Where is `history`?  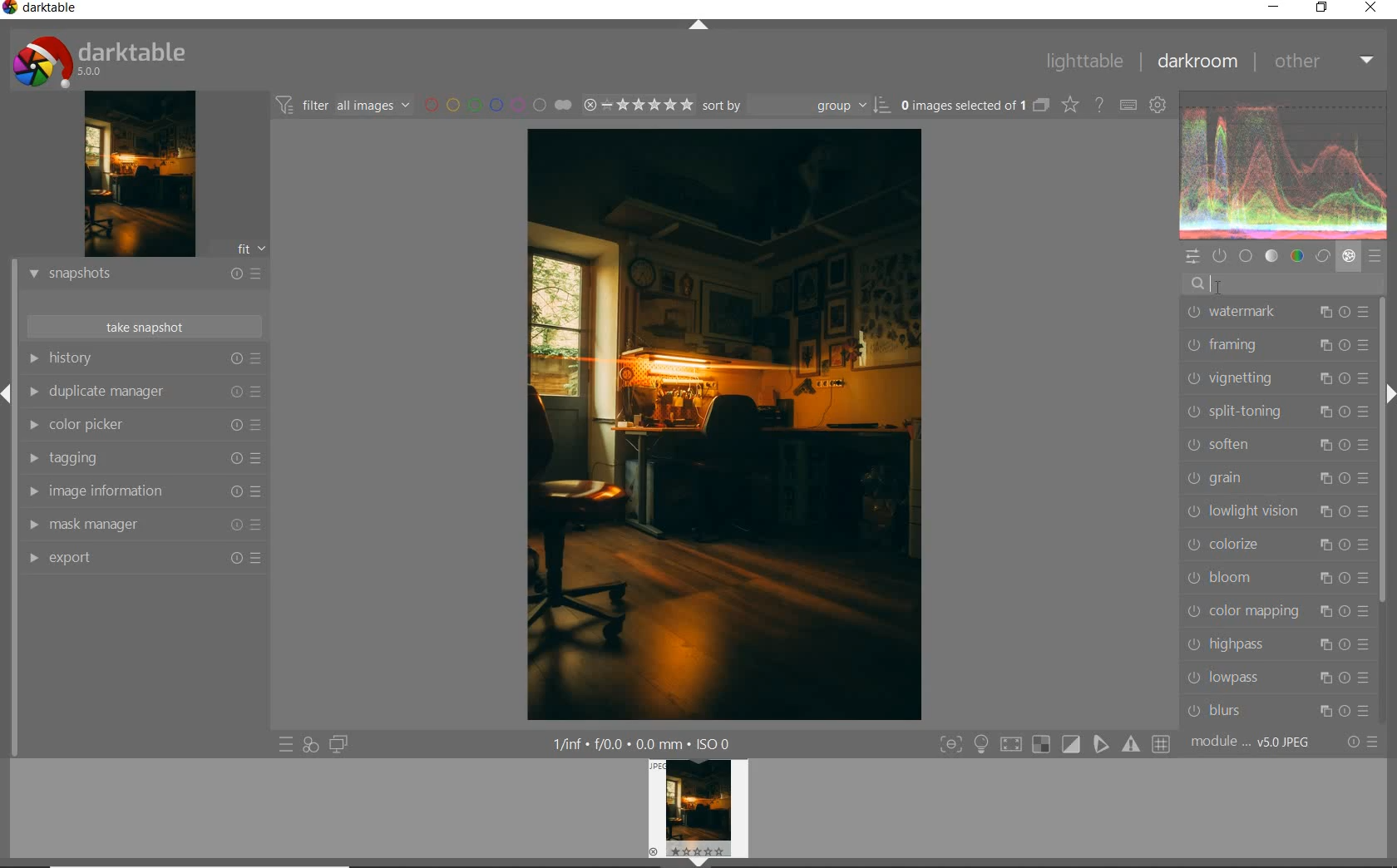 history is located at coordinates (144, 358).